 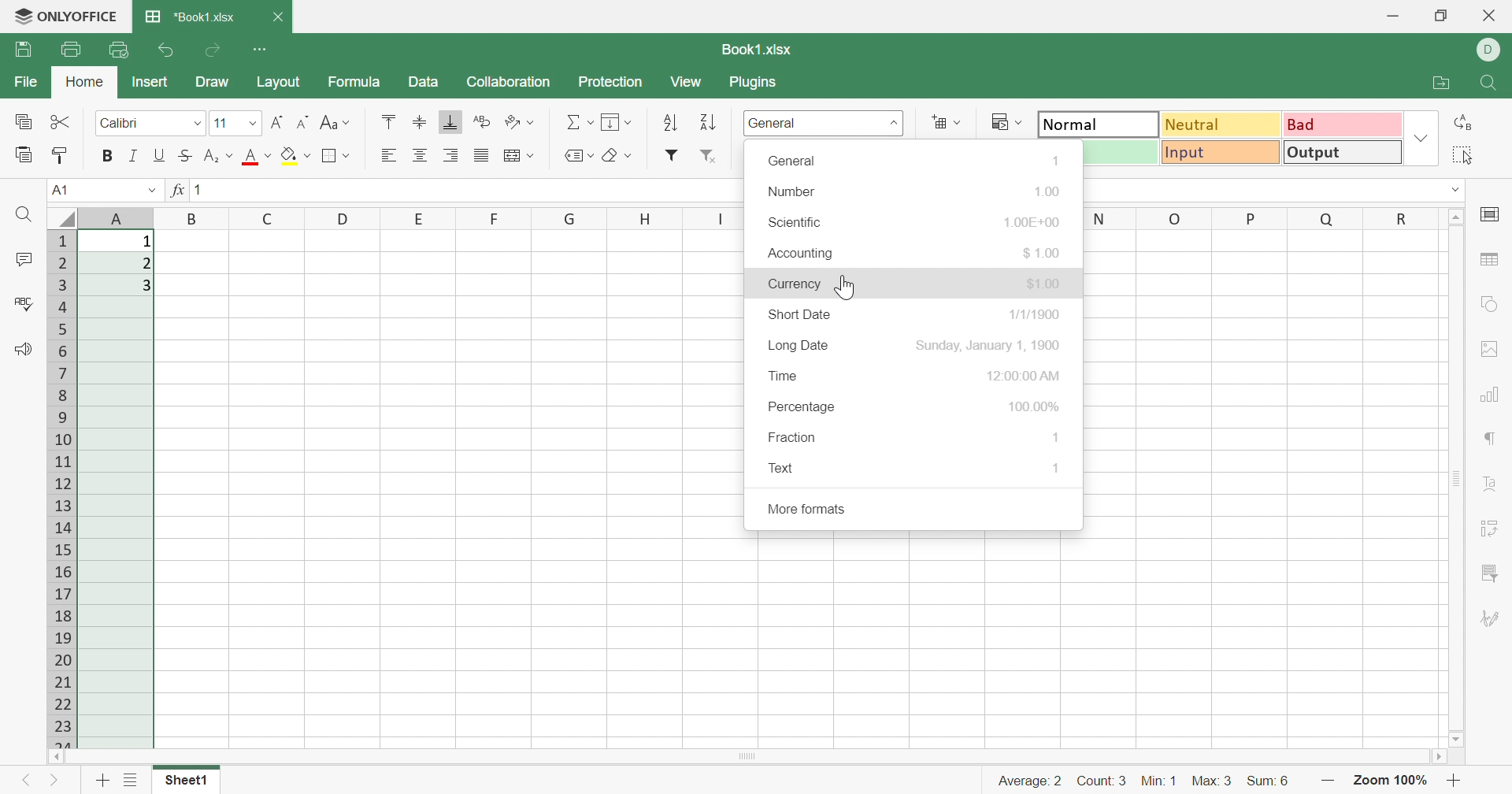 What do you see at coordinates (57, 189) in the screenshot?
I see `A1` at bounding box center [57, 189].